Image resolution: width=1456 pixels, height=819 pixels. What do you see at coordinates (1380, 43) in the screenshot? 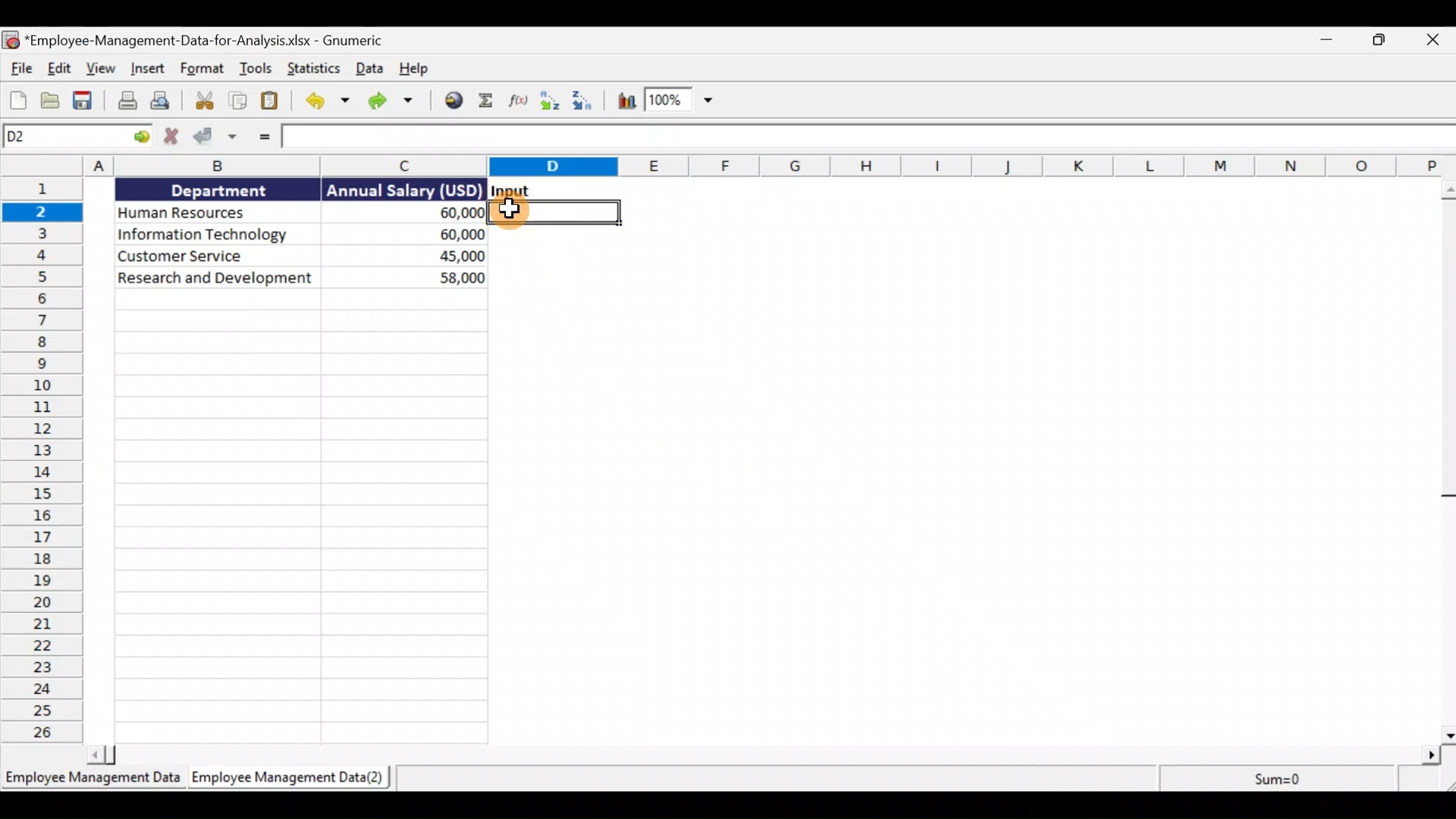
I see `Maximise` at bounding box center [1380, 43].